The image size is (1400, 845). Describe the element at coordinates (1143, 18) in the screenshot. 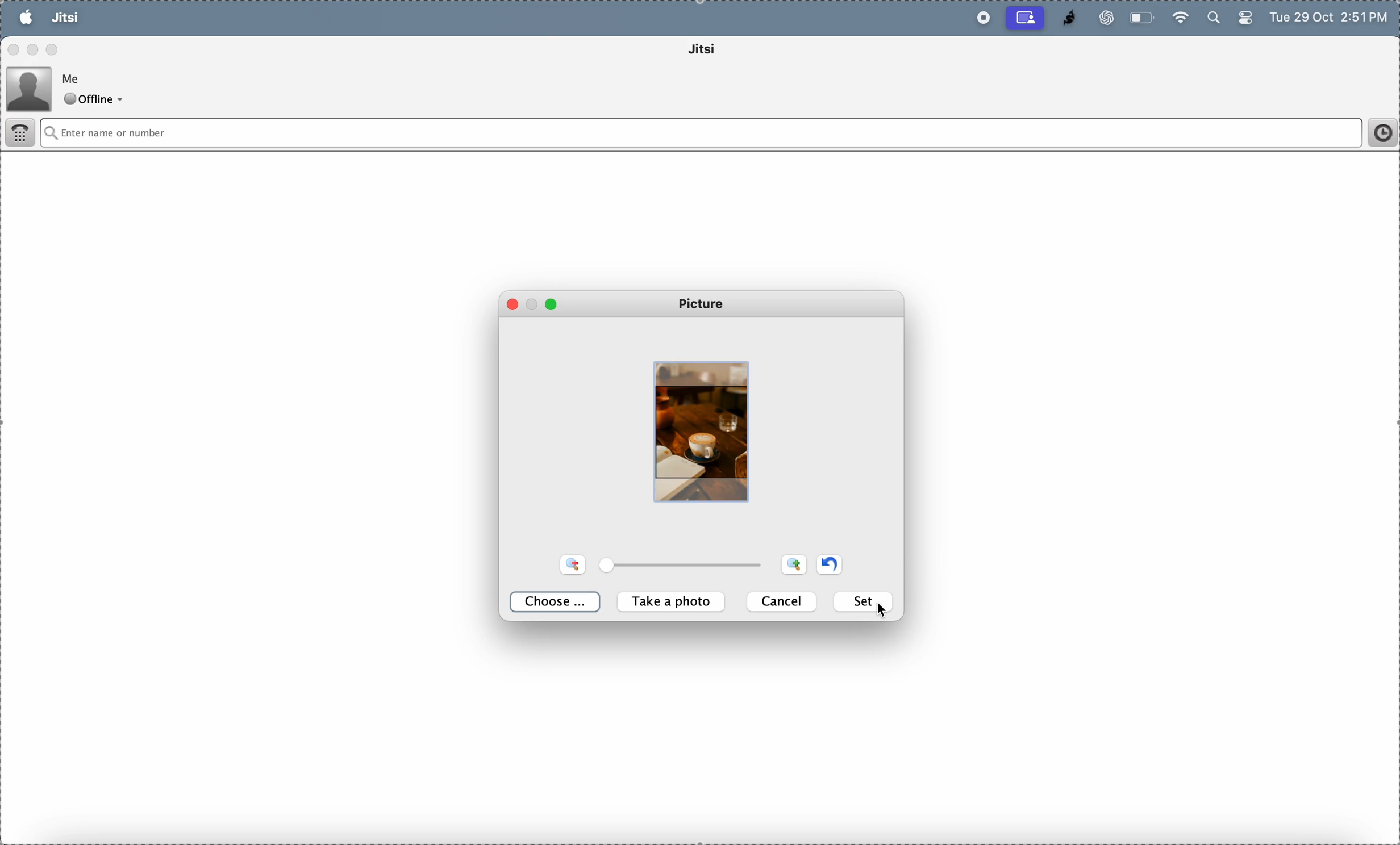

I see `battery` at that location.